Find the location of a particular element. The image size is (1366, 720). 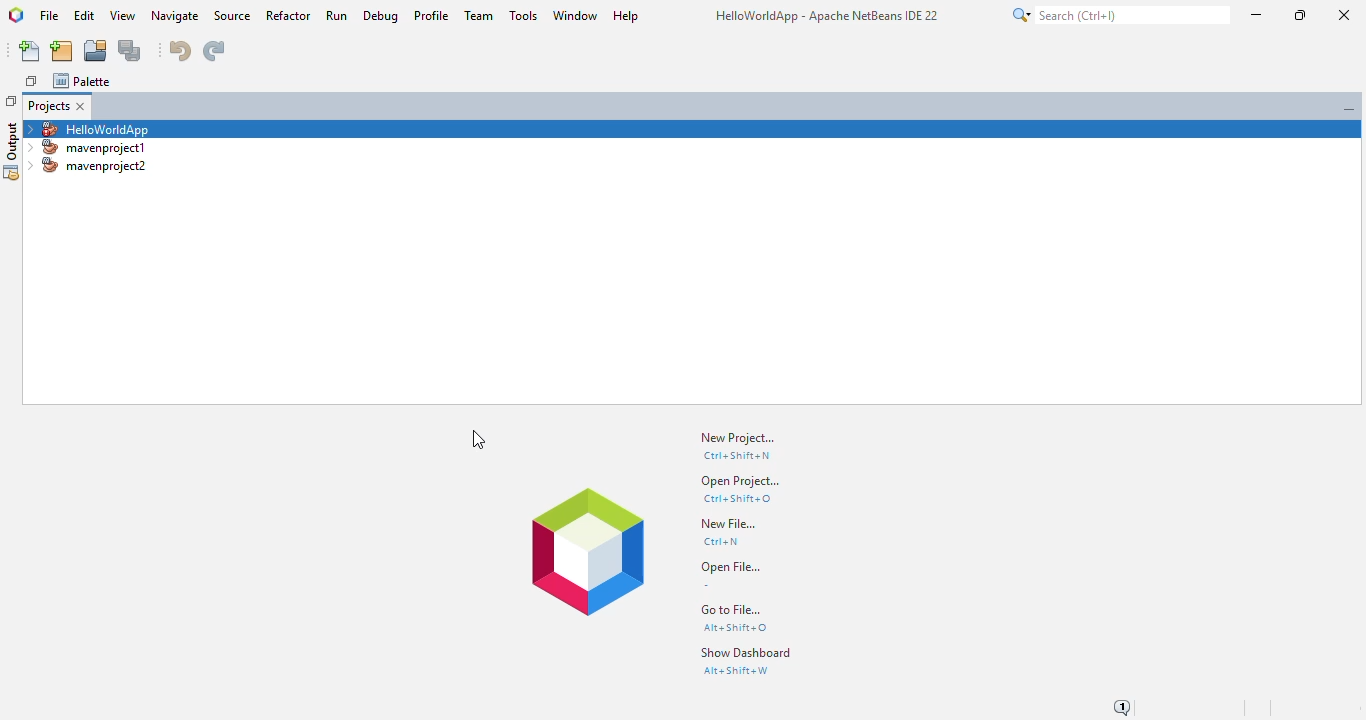

logo is located at coordinates (586, 552).